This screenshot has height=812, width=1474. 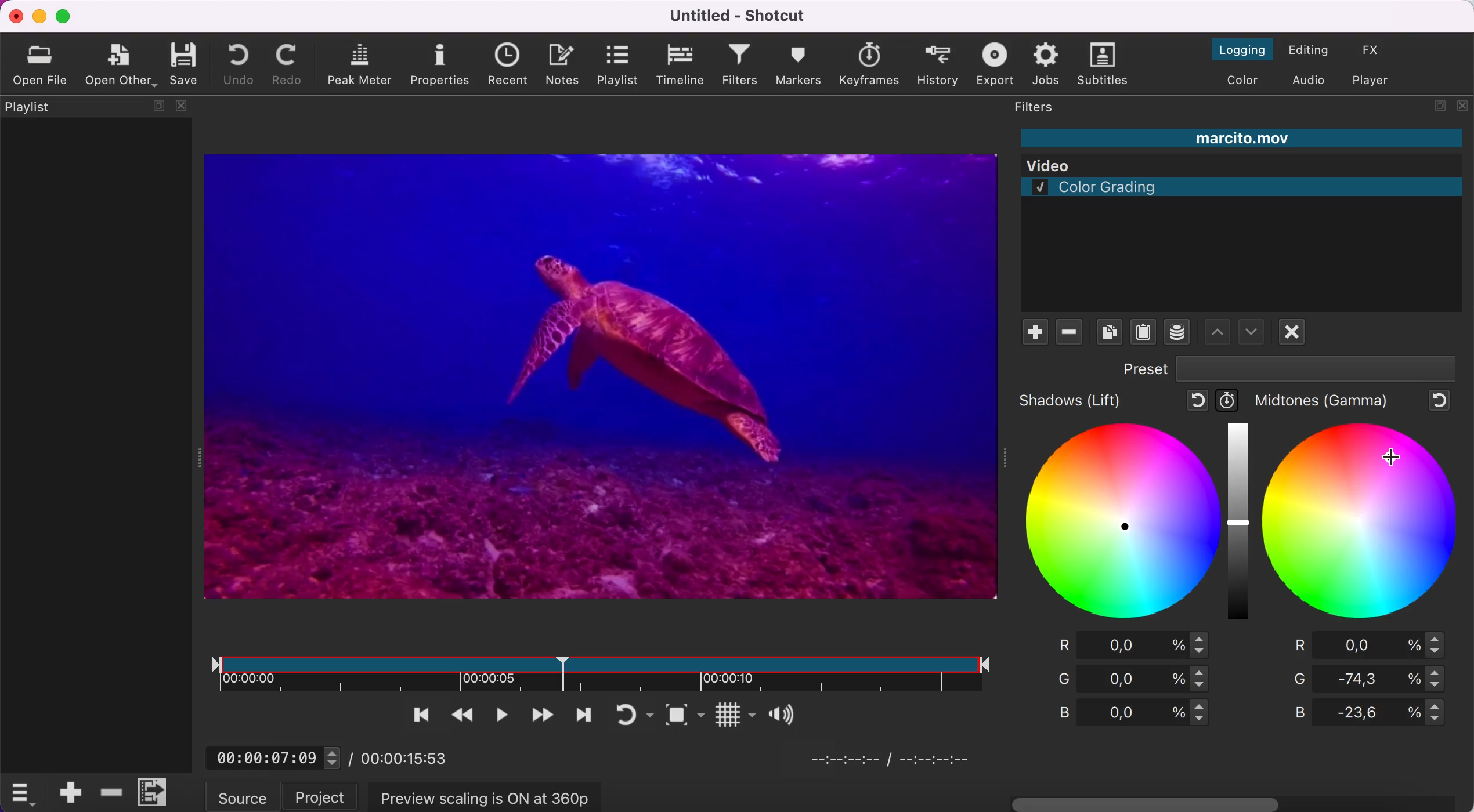 I want to click on peak meter, so click(x=357, y=65).